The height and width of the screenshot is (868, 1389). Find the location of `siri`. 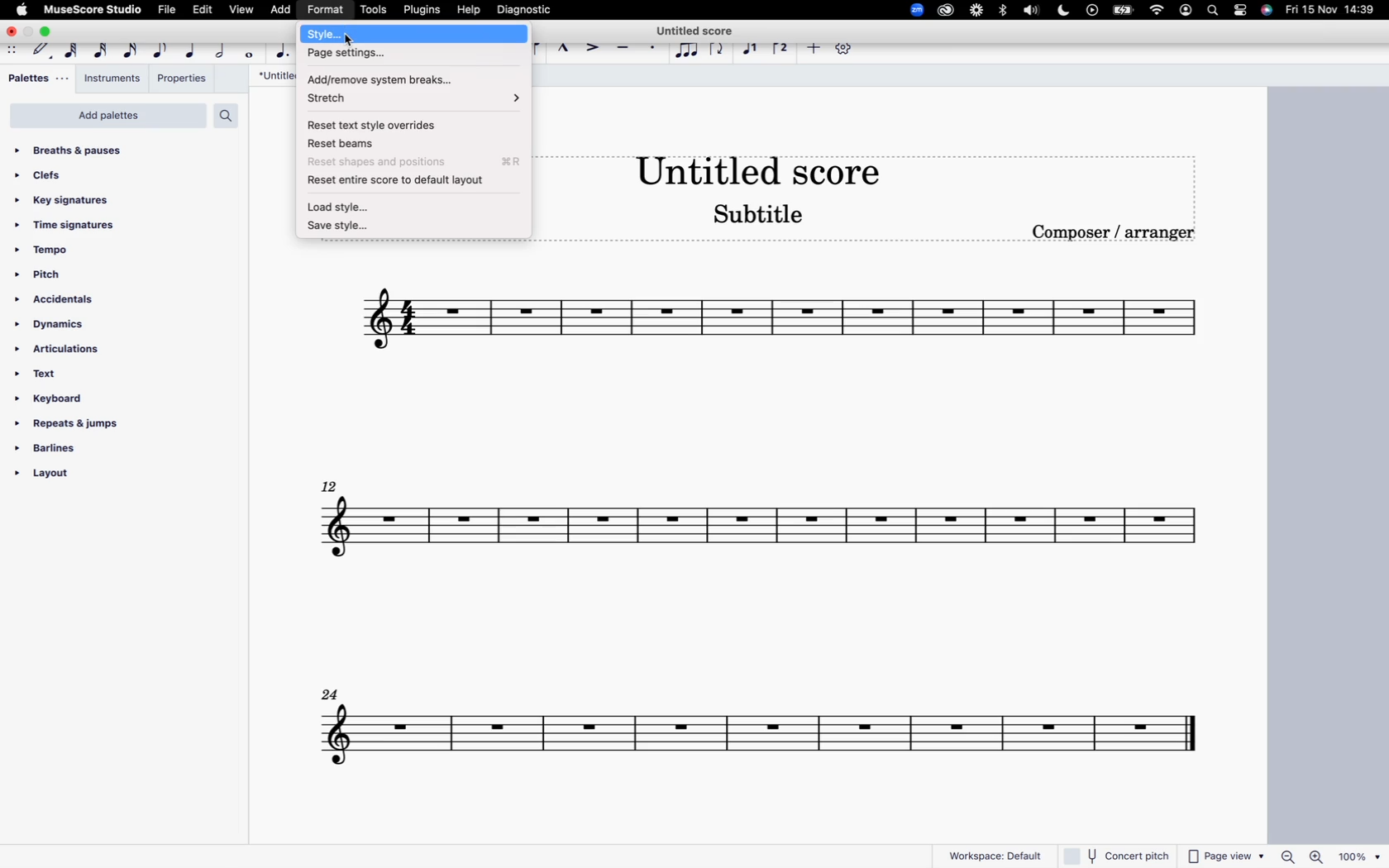

siri is located at coordinates (1268, 13).